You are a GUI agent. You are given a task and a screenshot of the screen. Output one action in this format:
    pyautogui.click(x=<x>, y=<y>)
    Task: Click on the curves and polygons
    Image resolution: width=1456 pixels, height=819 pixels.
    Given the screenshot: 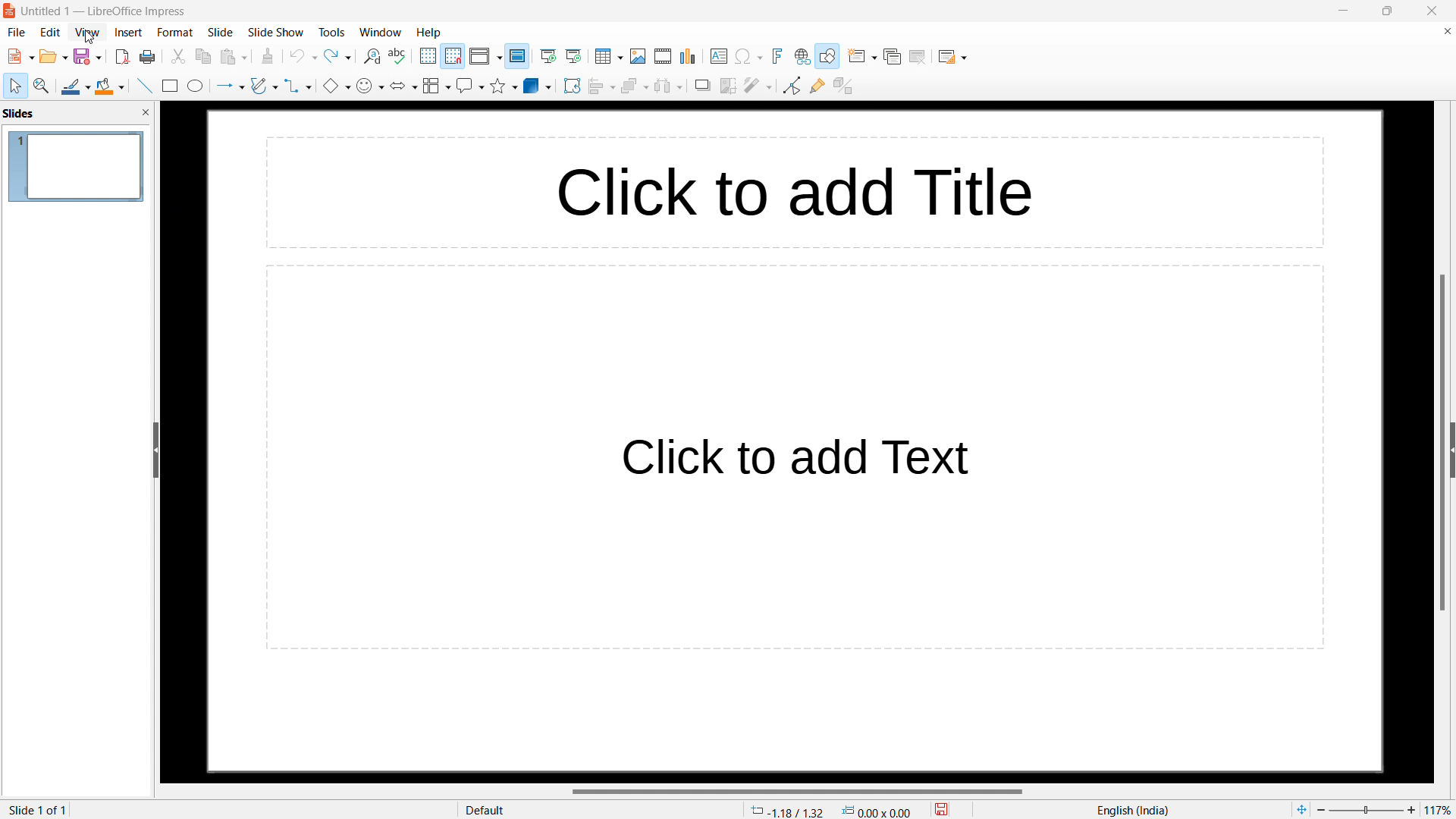 What is the action you would take?
    pyautogui.click(x=265, y=86)
    